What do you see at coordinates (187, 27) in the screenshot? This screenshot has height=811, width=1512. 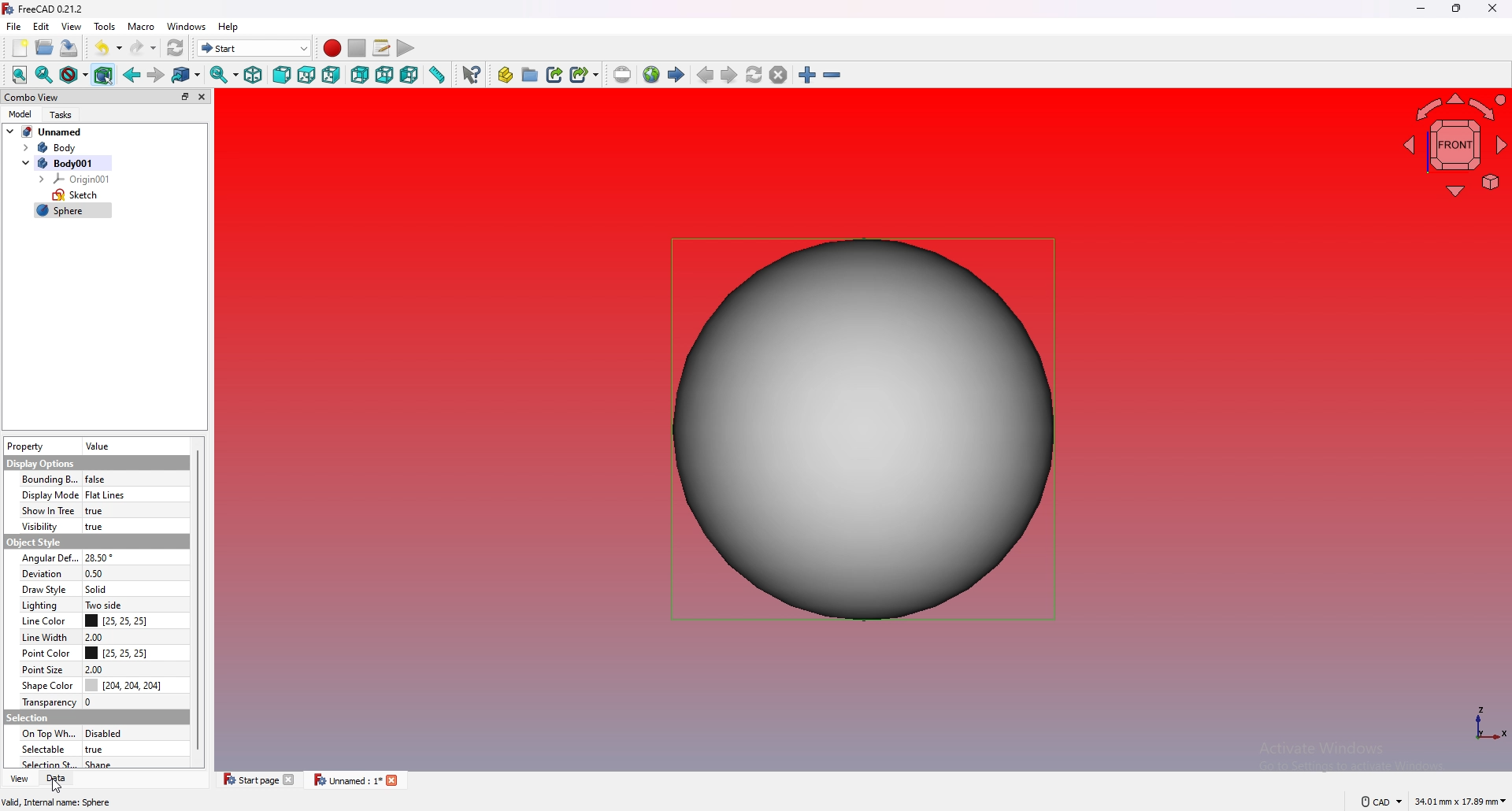 I see `windows` at bounding box center [187, 27].